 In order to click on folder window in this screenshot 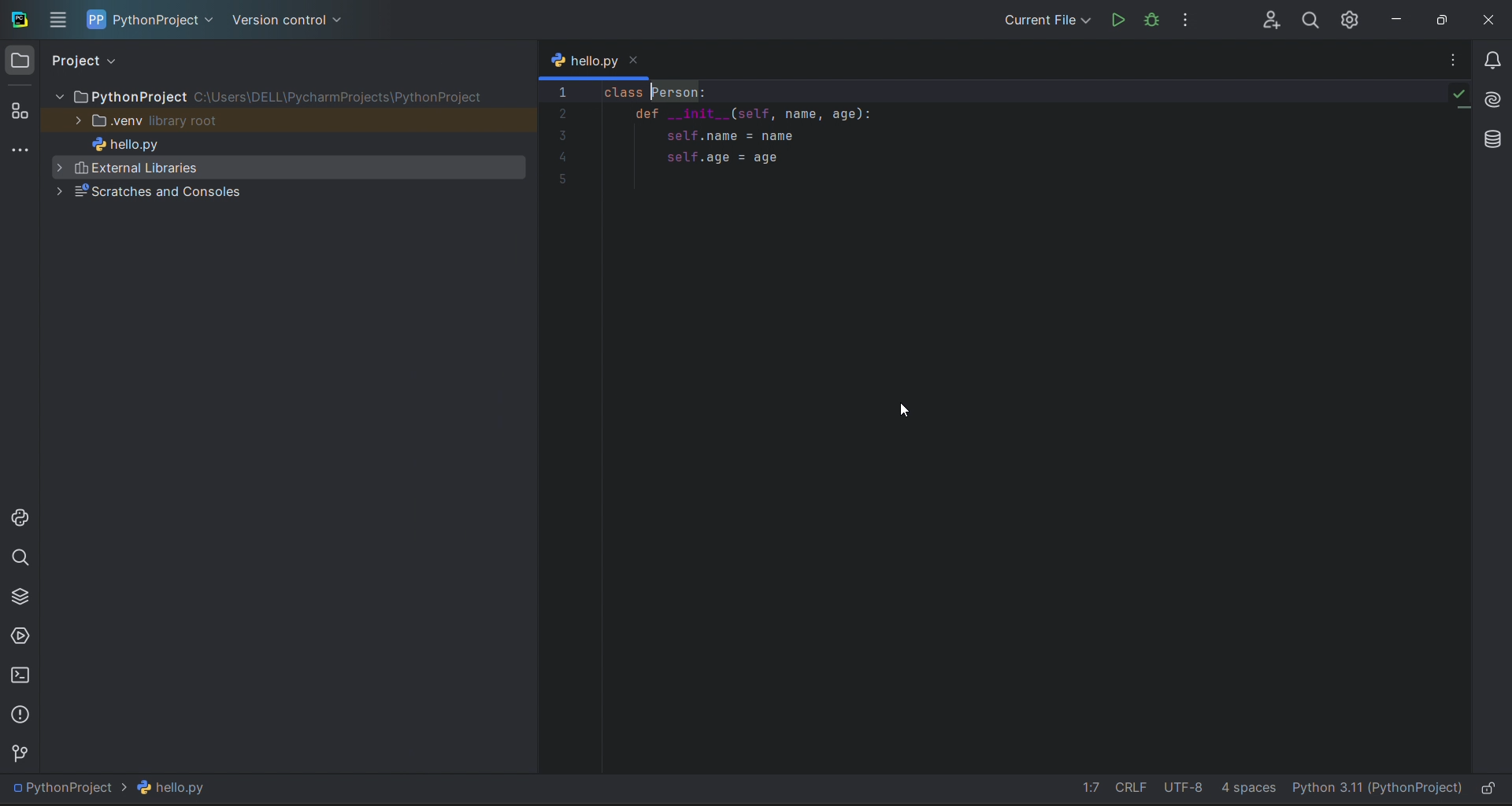, I will do `click(19, 60)`.